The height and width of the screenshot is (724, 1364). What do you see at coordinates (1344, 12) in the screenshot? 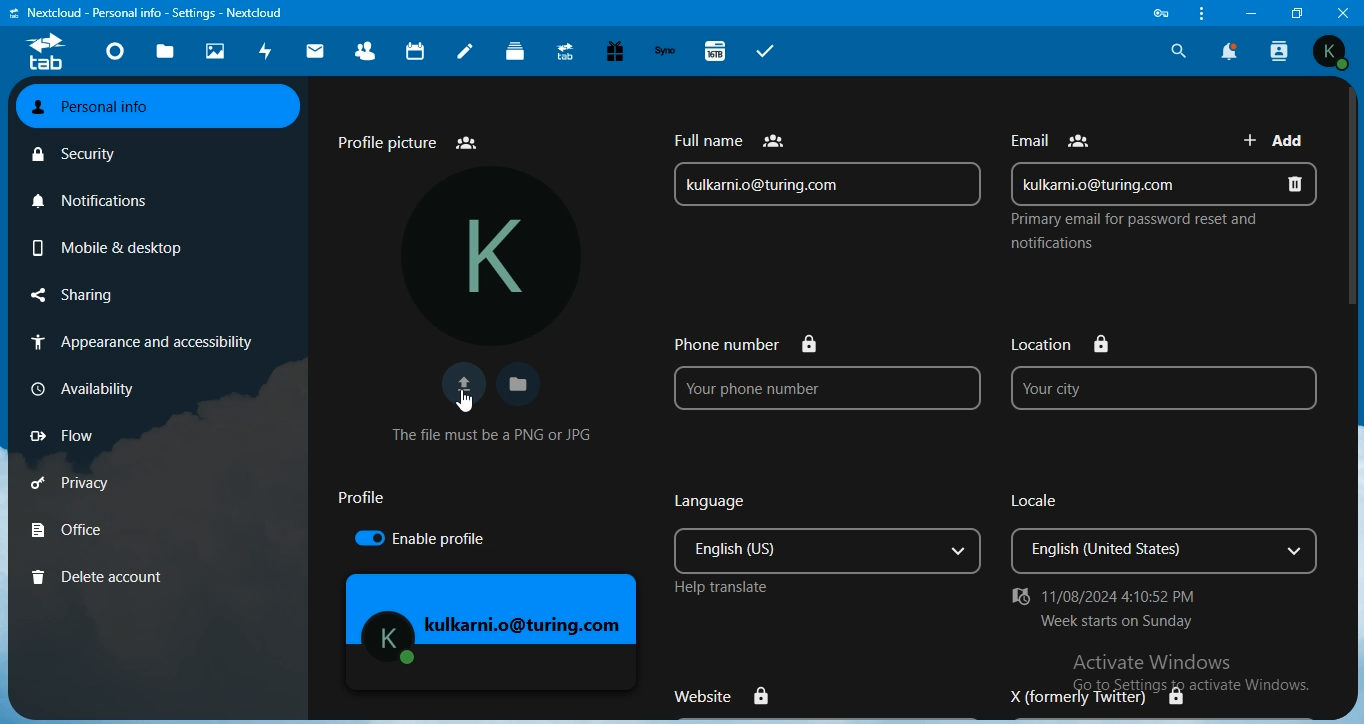
I see `close` at bounding box center [1344, 12].